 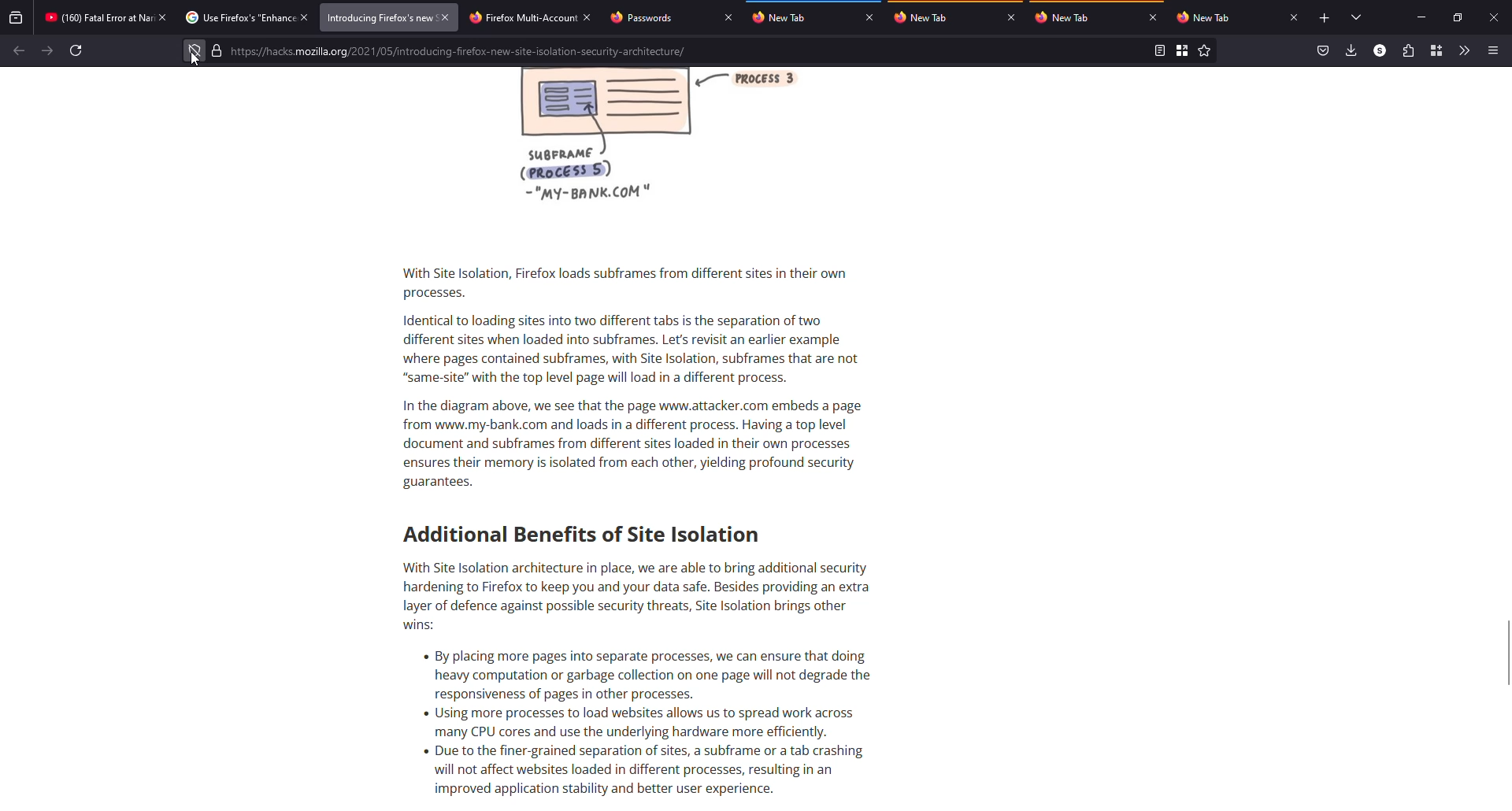 I want to click on tab, so click(x=98, y=17).